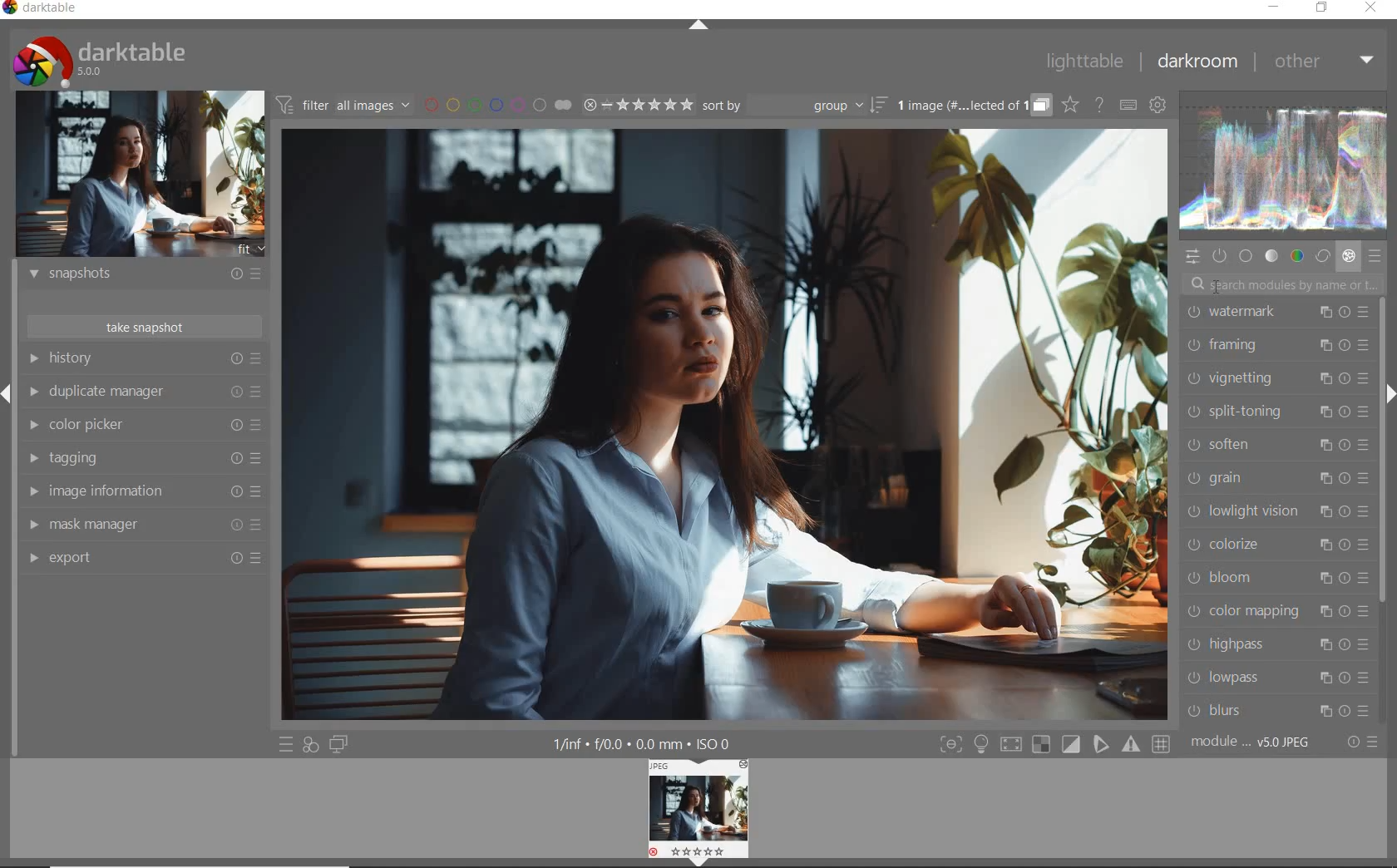  Describe the element at coordinates (143, 492) in the screenshot. I see `image information` at that location.